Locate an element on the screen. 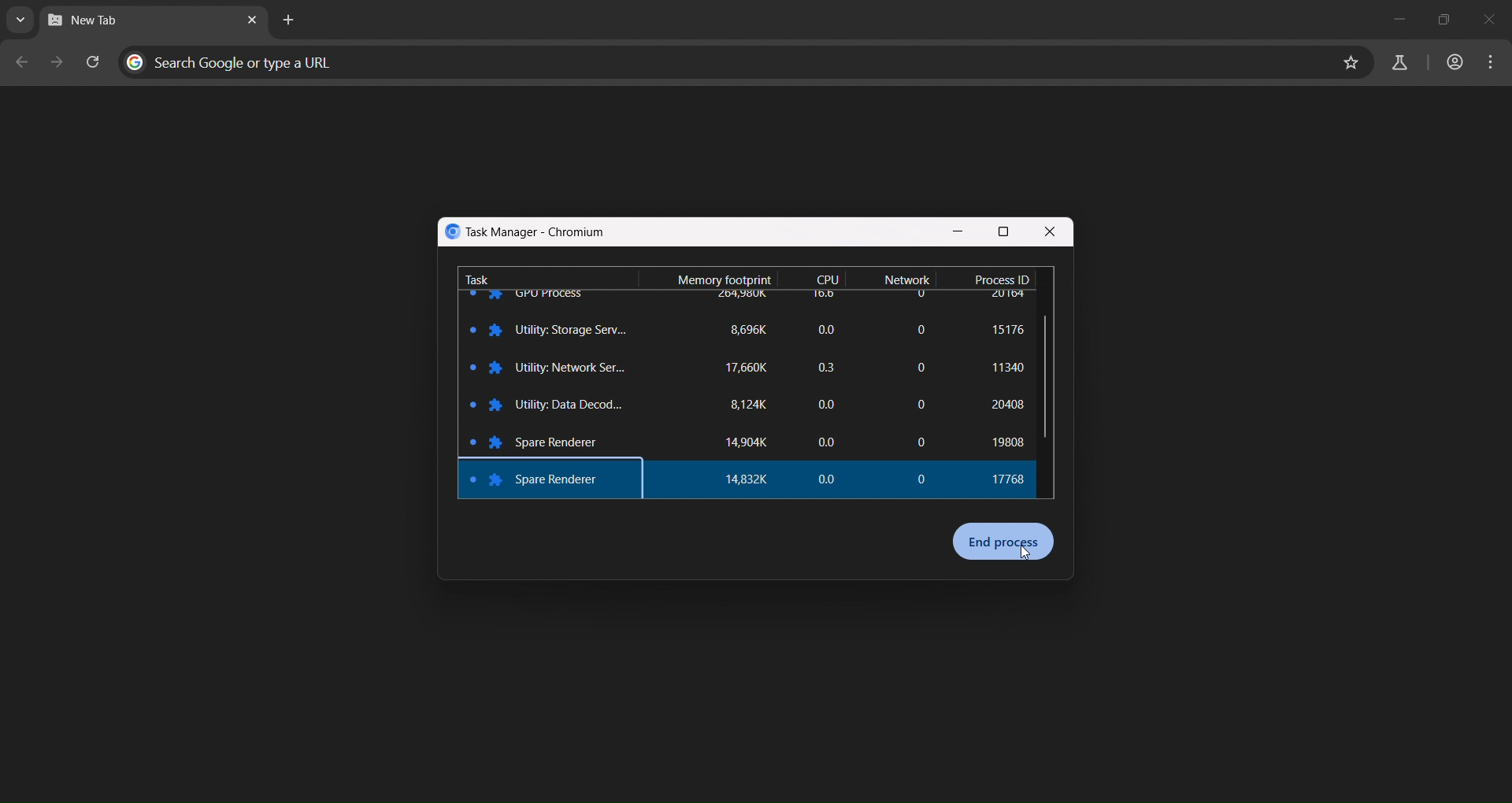 This screenshot has width=1512, height=803. 00 is located at coordinates (825, 404).